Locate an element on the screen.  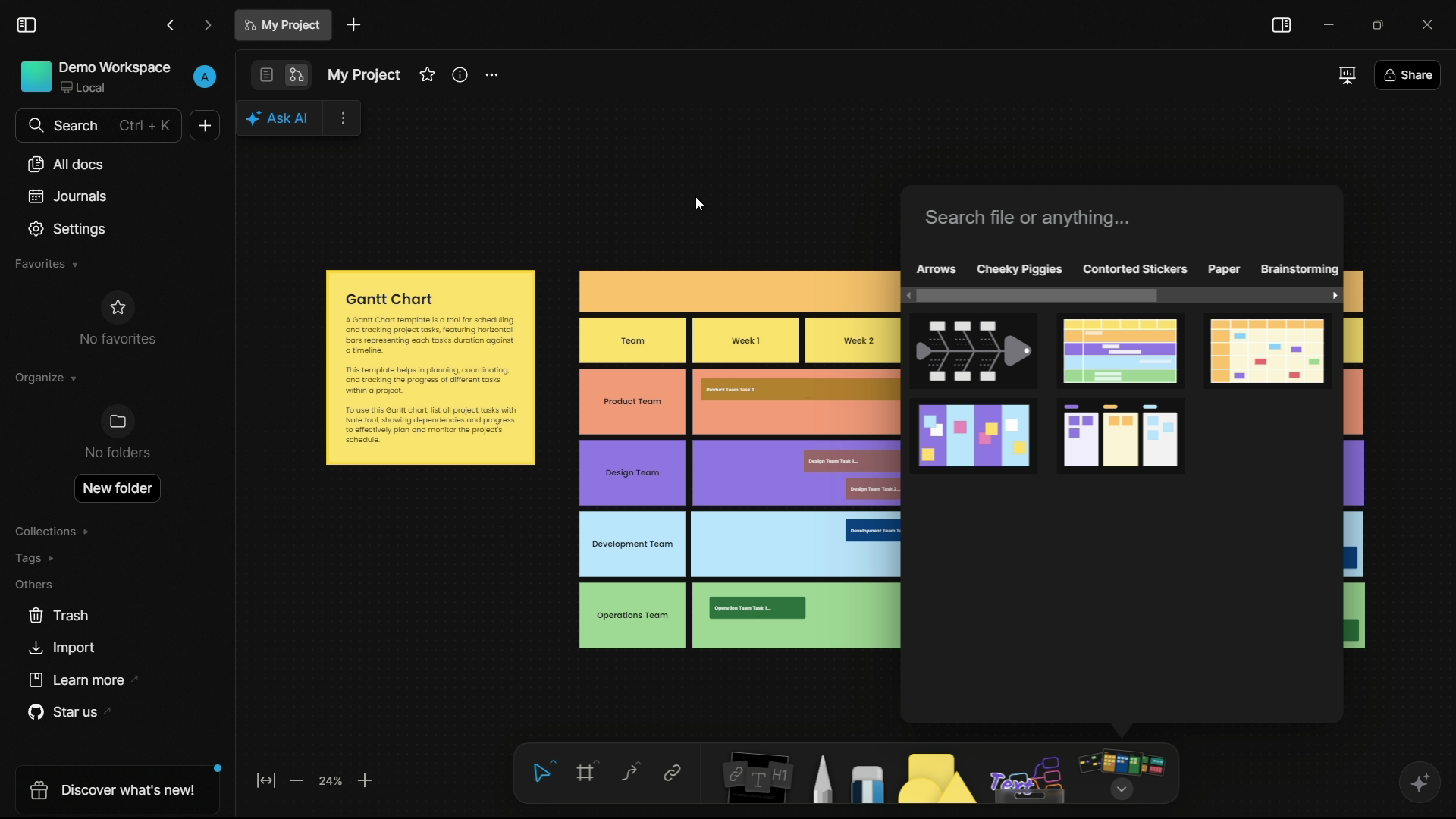
Cheeky Piggies is located at coordinates (1020, 269).